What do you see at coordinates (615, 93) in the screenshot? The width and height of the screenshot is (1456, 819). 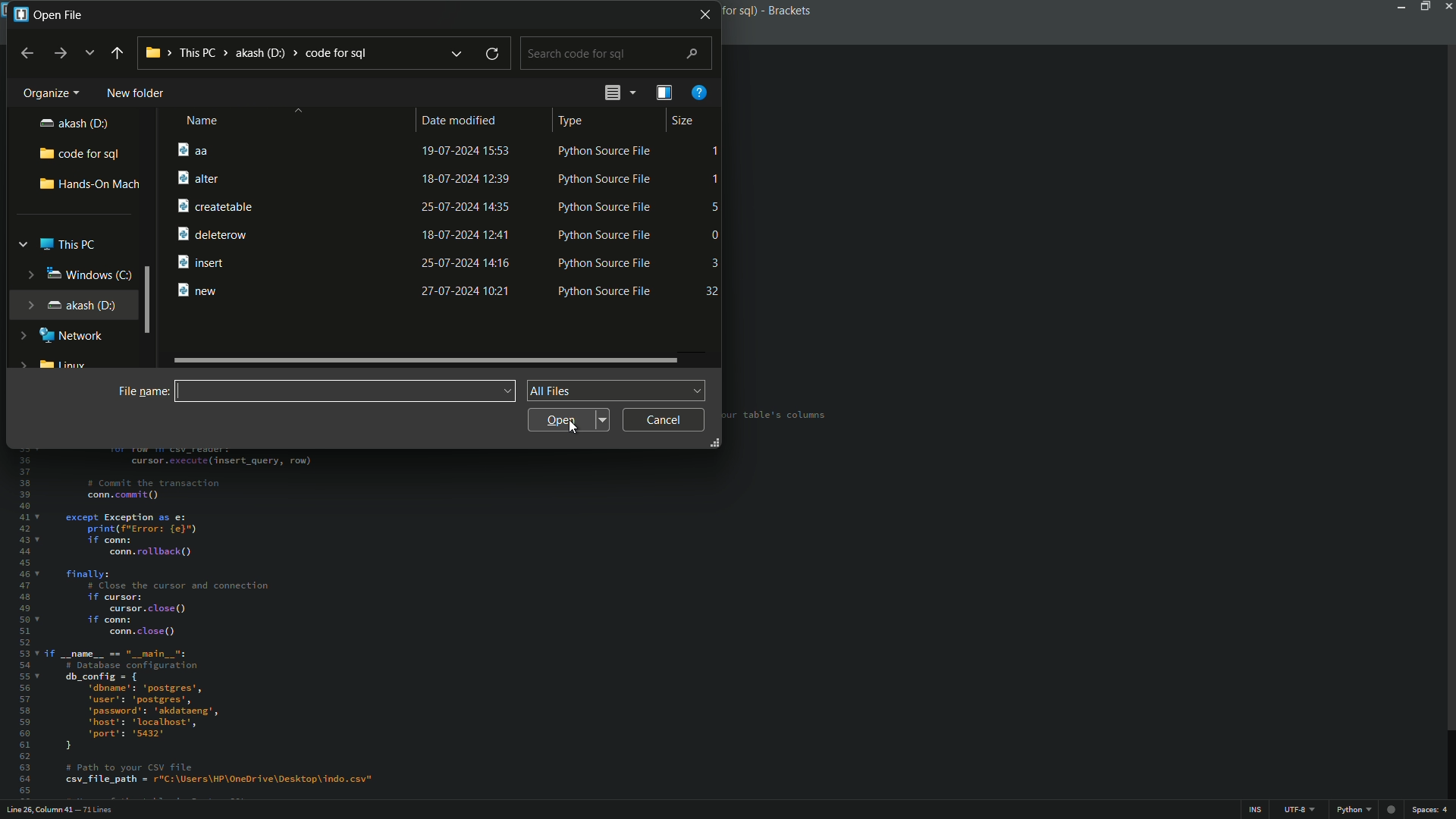 I see `change the view` at bounding box center [615, 93].